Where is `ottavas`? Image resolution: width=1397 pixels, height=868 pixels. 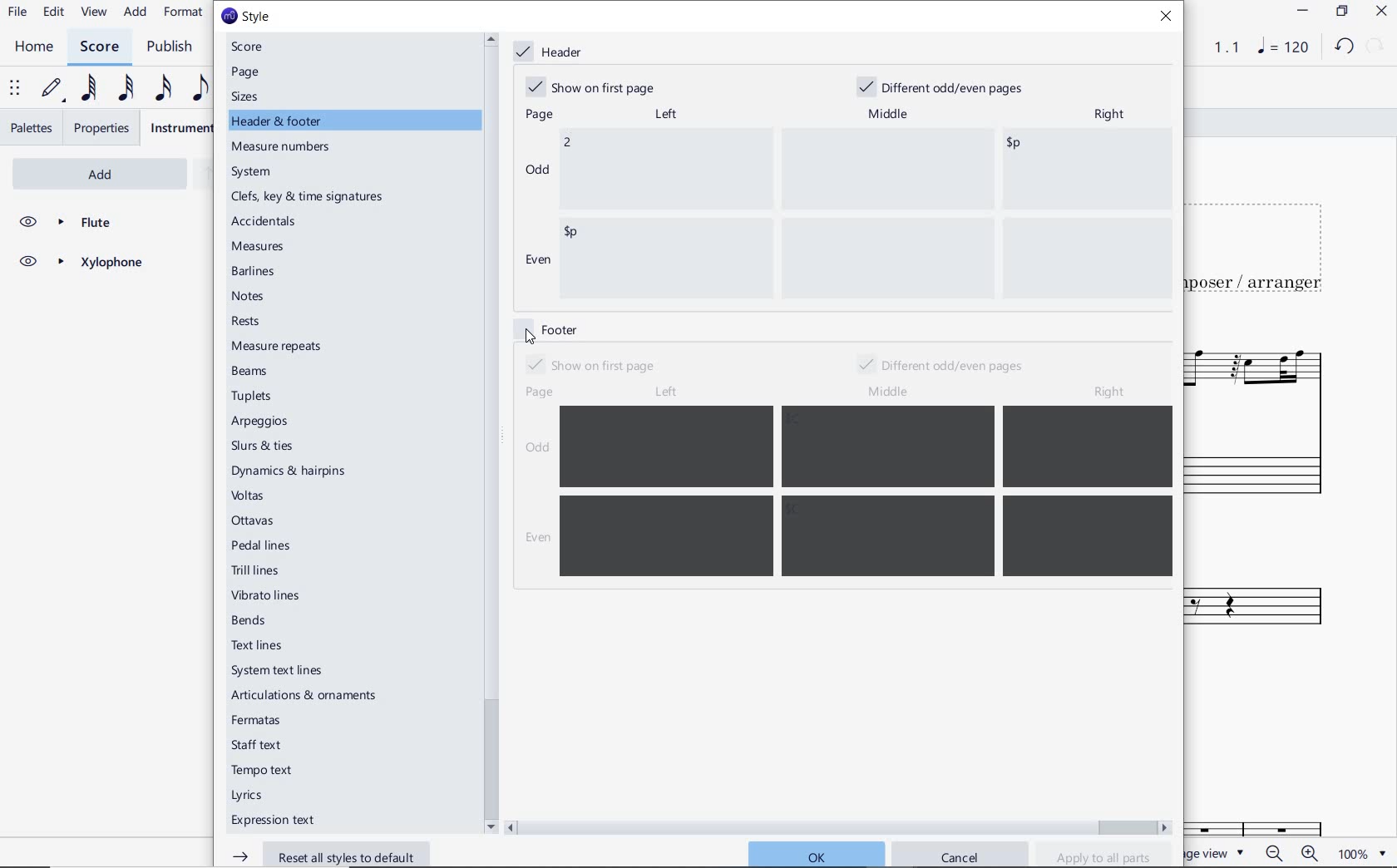 ottavas is located at coordinates (254, 520).